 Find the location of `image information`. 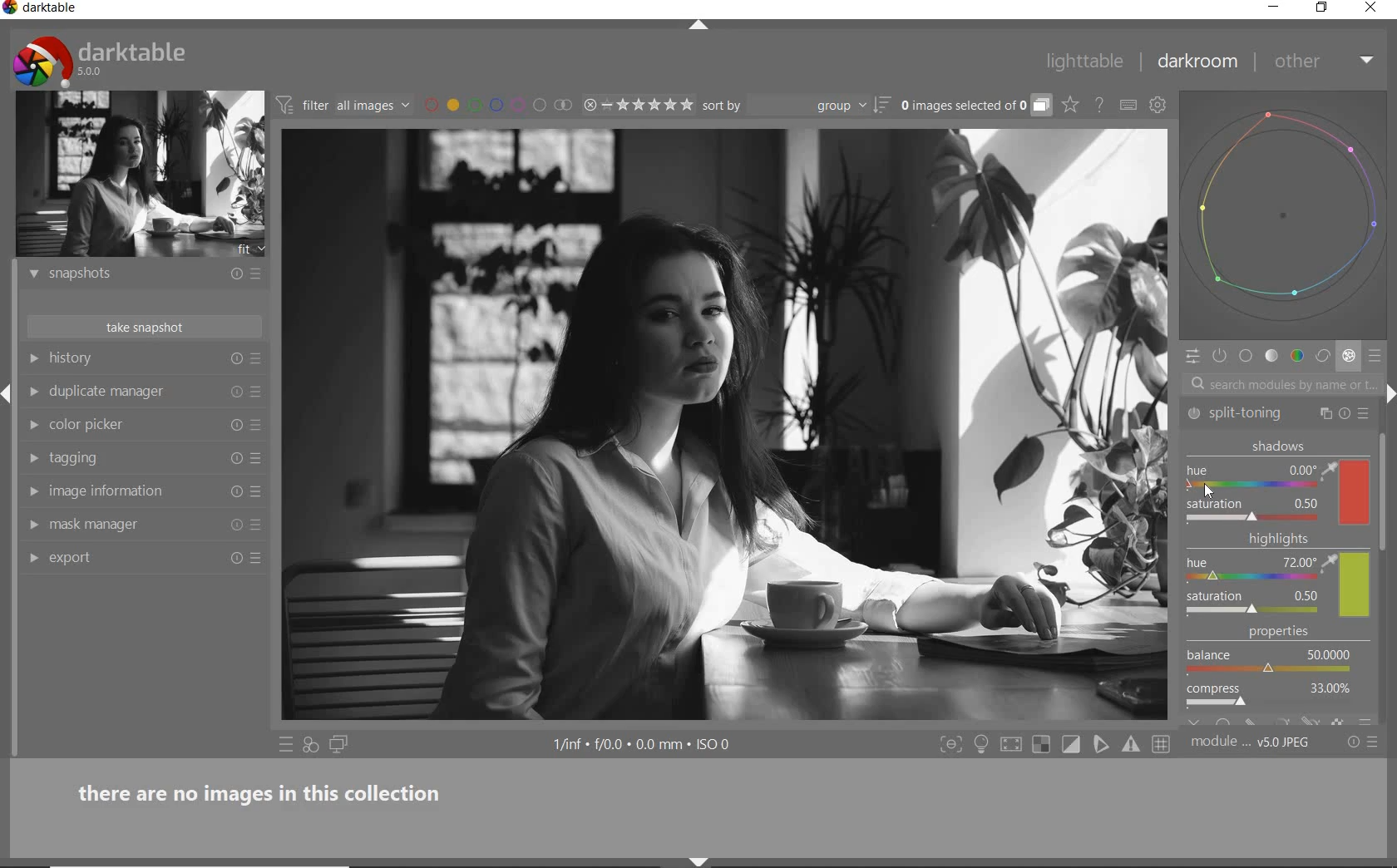

image information is located at coordinates (132, 491).